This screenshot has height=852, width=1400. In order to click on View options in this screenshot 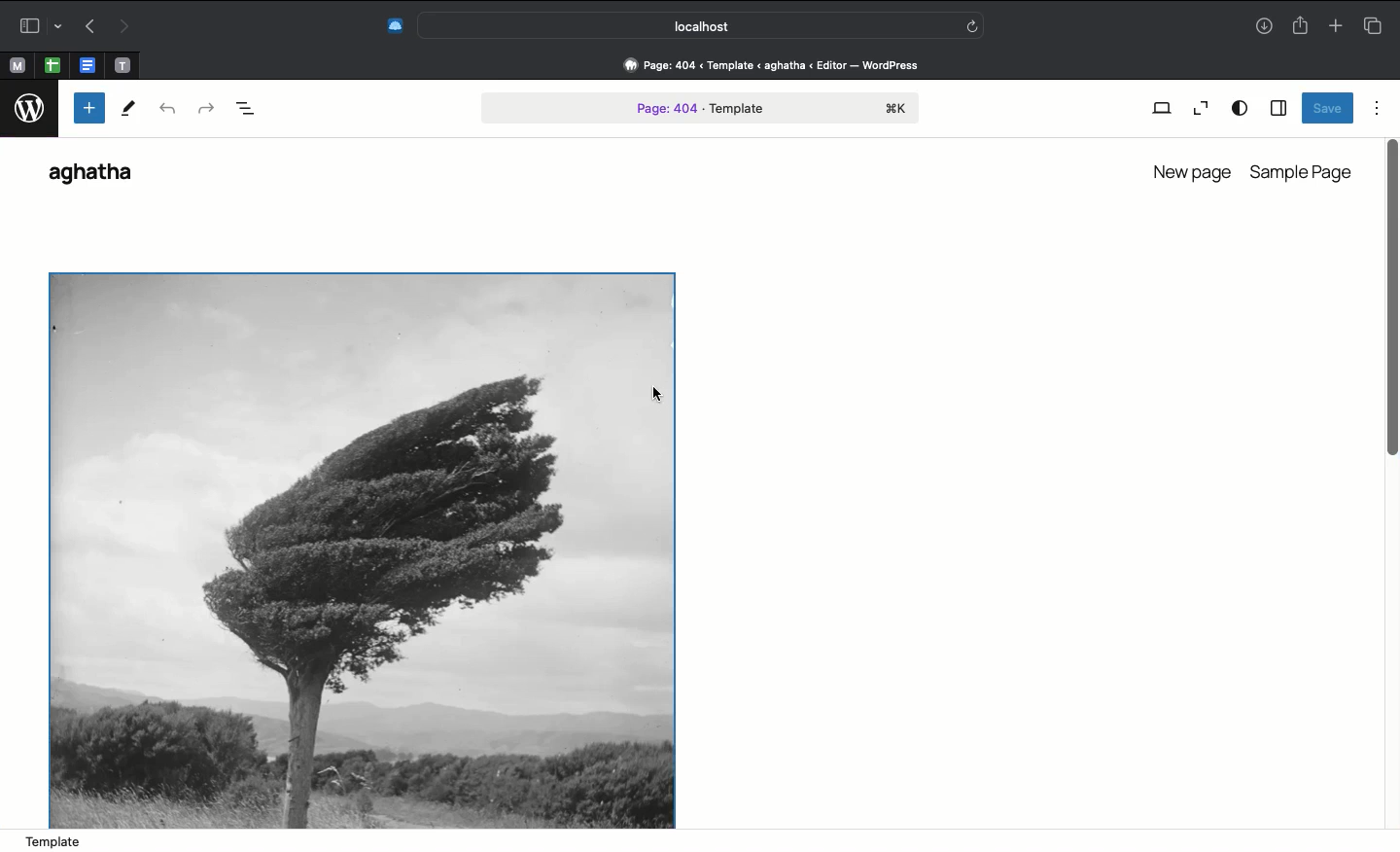, I will do `click(1241, 109)`.